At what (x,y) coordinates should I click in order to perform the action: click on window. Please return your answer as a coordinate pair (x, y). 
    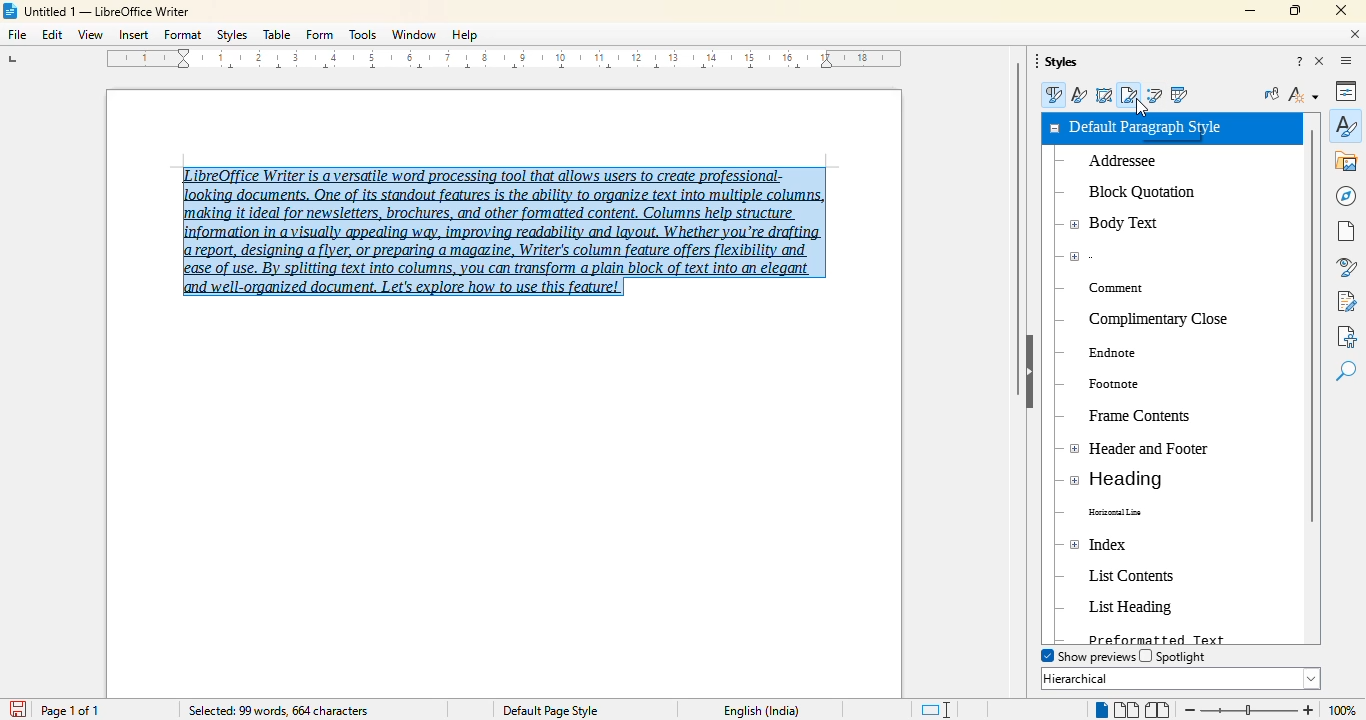
    Looking at the image, I should click on (415, 34).